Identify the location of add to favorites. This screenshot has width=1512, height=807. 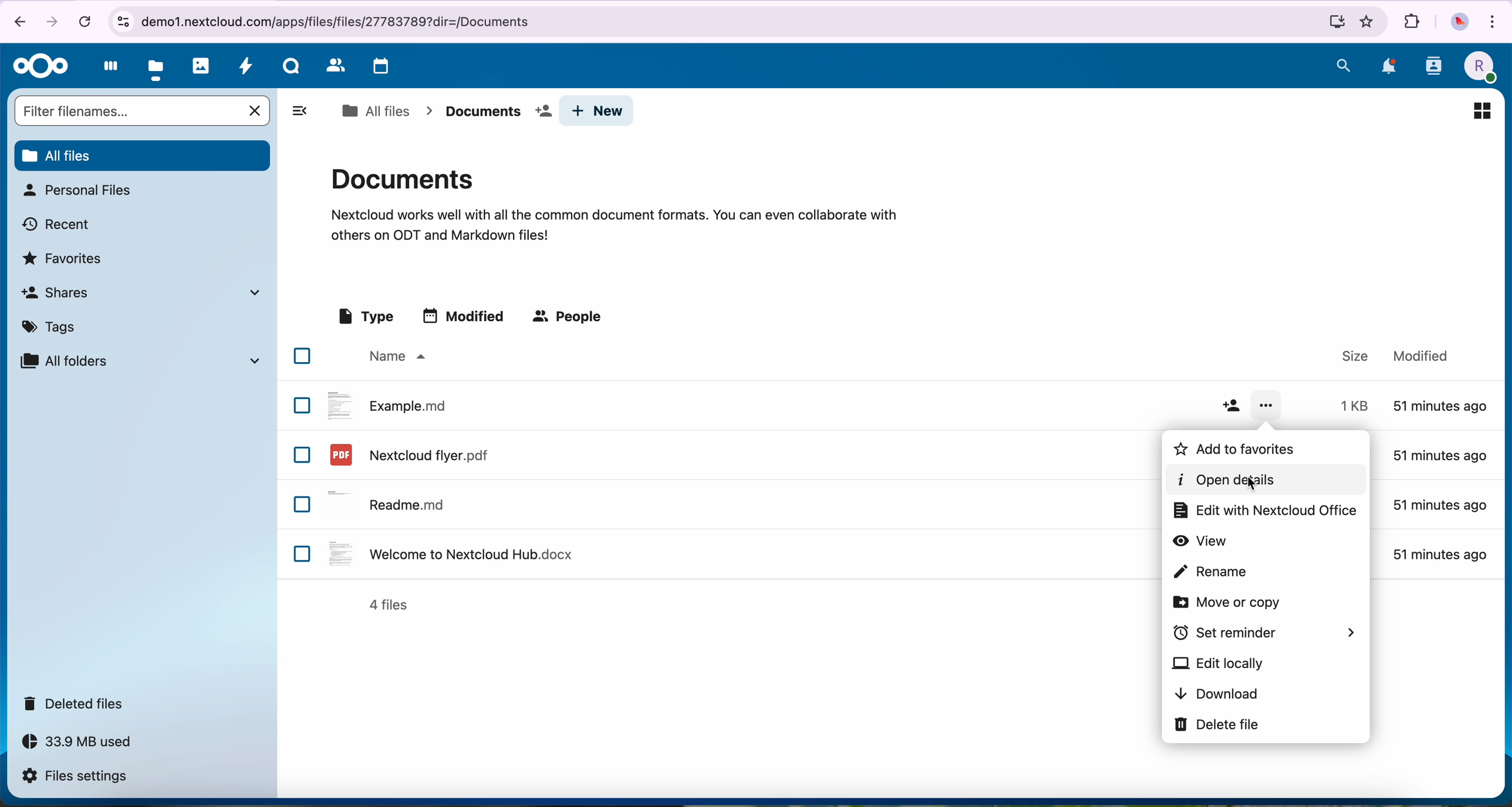
(1253, 450).